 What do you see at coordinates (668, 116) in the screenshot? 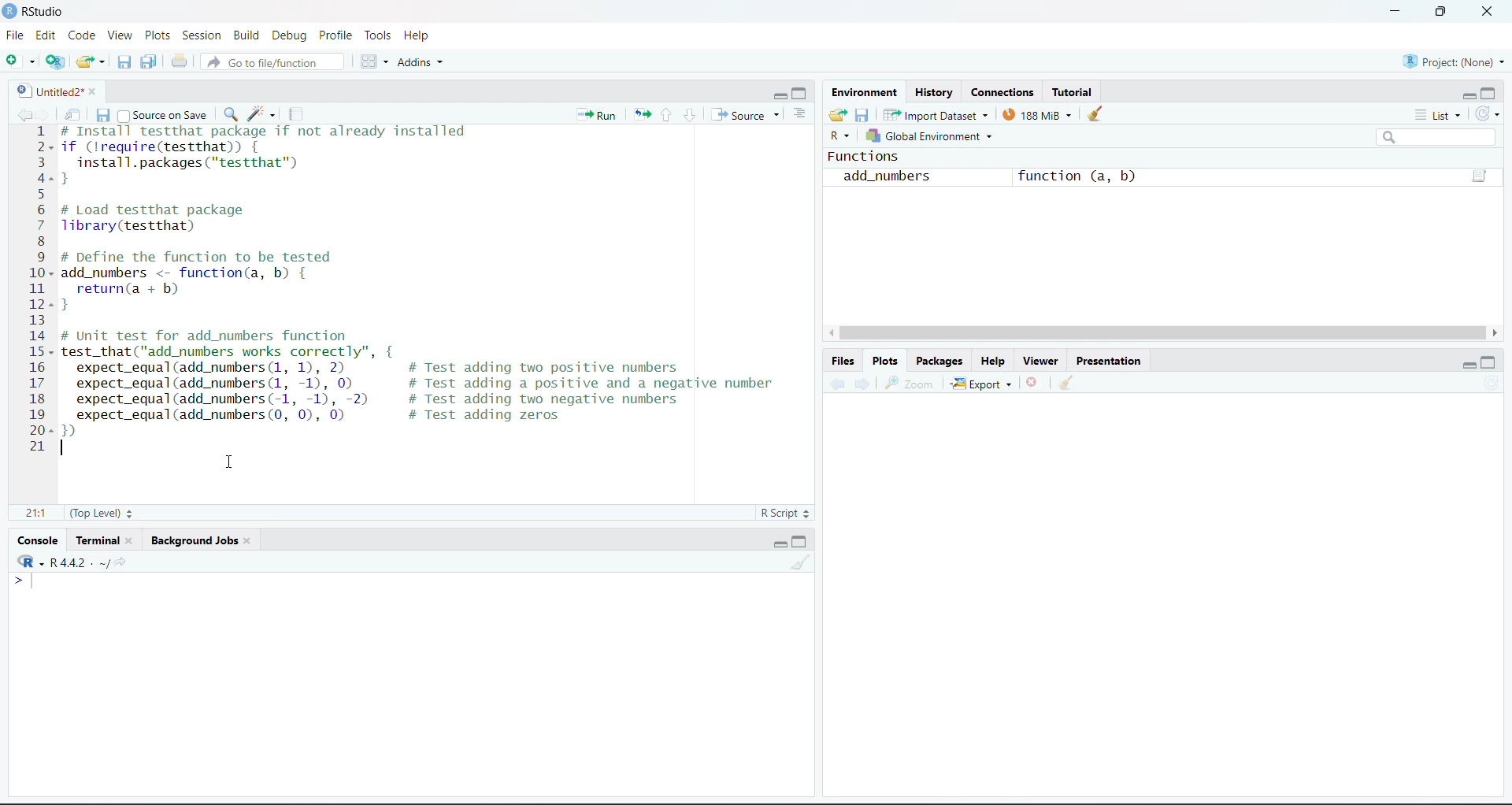
I see `go to previous section of the chunk` at bounding box center [668, 116].